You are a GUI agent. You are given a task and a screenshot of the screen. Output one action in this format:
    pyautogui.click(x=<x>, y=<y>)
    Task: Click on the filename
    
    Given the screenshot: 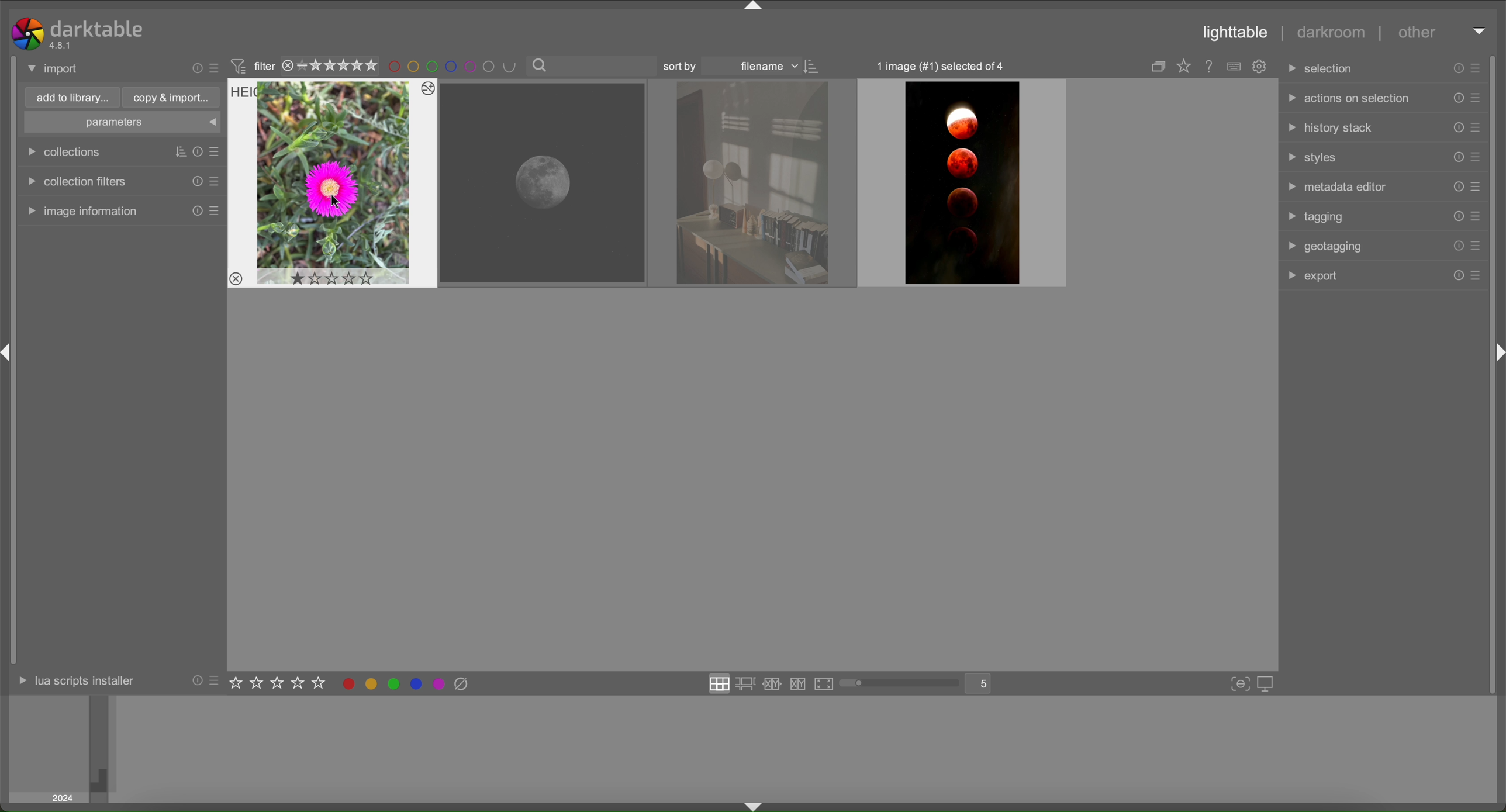 What is the action you would take?
    pyautogui.click(x=765, y=68)
    